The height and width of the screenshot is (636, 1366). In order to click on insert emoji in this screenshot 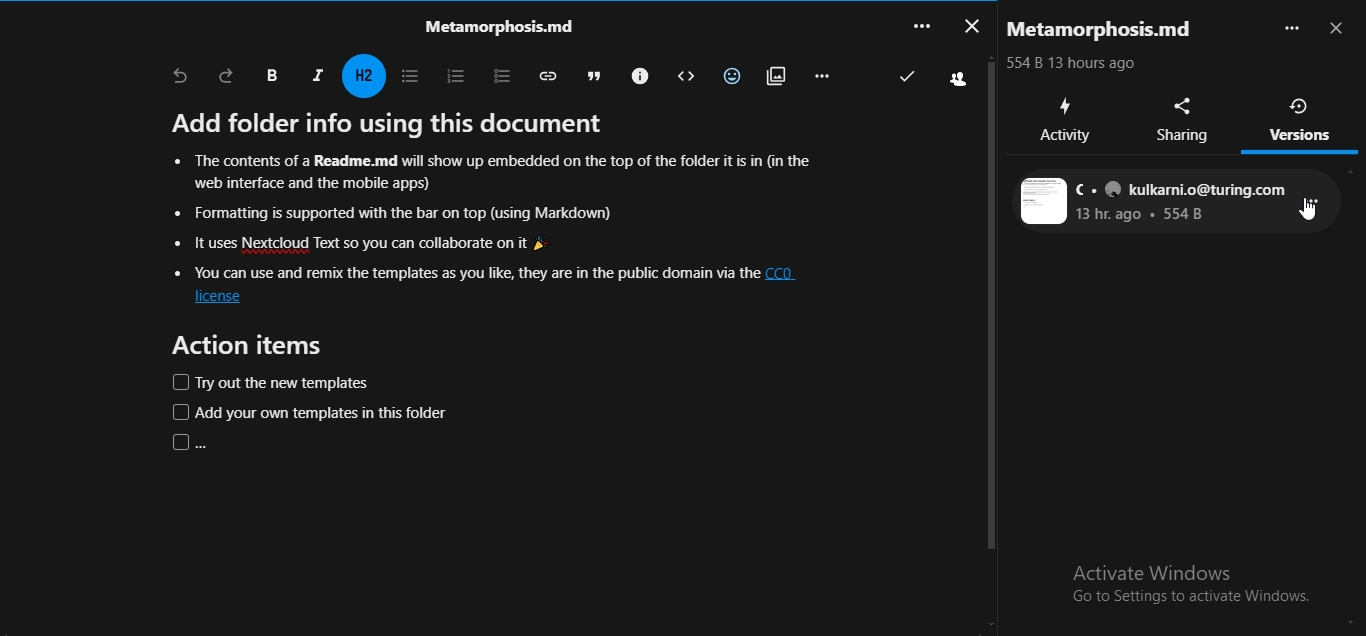, I will do `click(728, 73)`.